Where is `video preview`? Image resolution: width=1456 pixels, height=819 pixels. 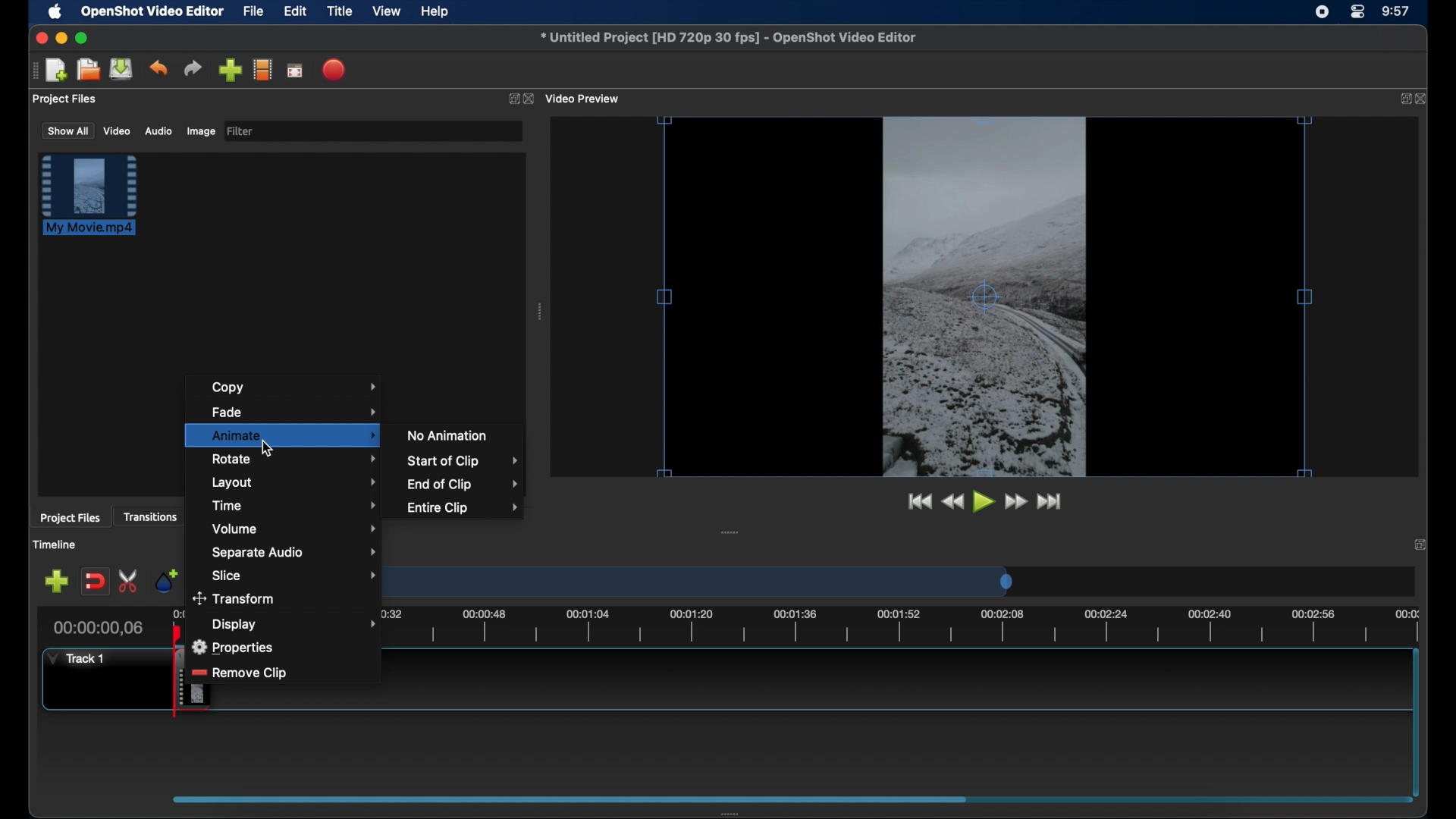
video preview is located at coordinates (985, 298).